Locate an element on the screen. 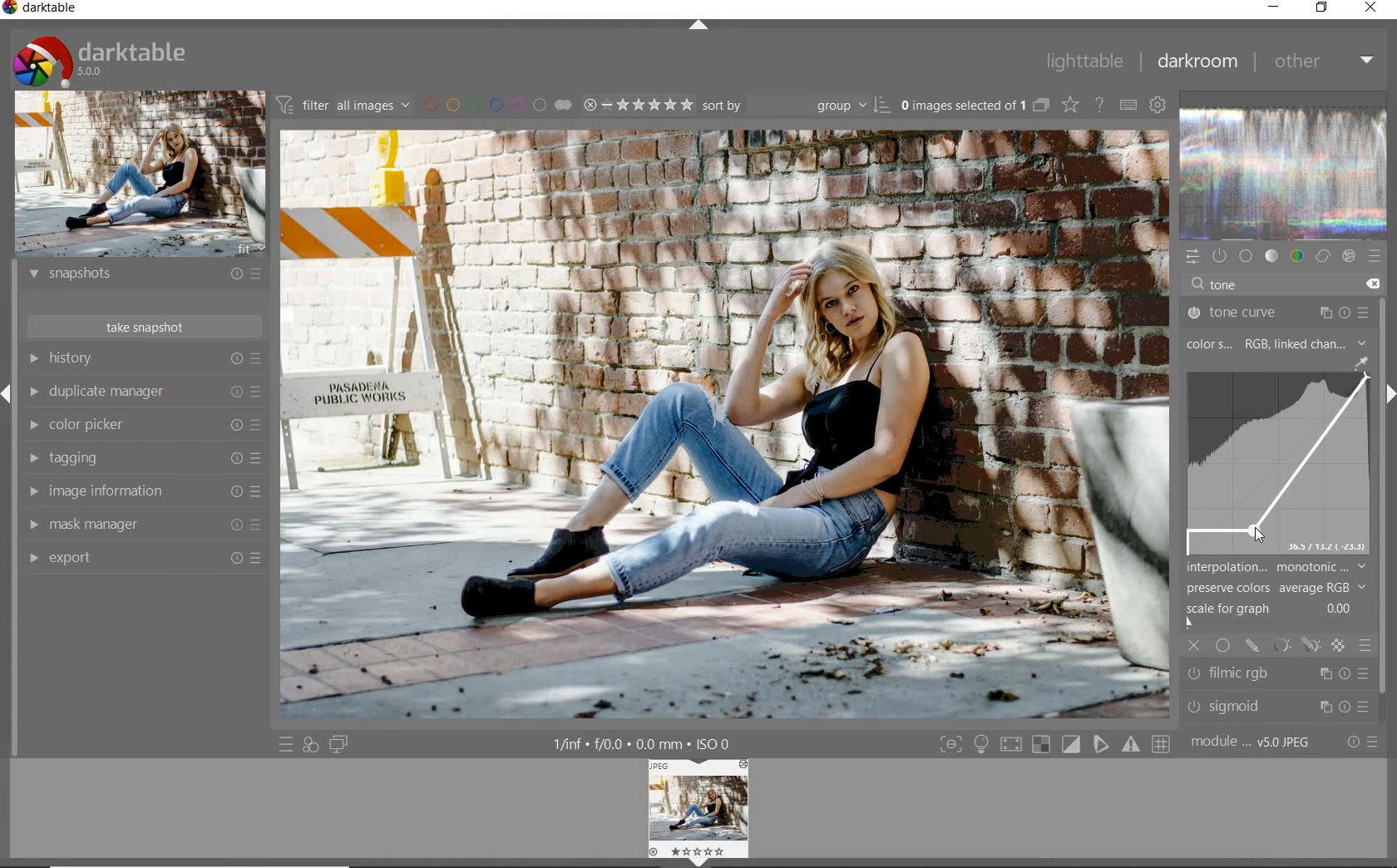  tone curve is located at coordinates (1276, 311).